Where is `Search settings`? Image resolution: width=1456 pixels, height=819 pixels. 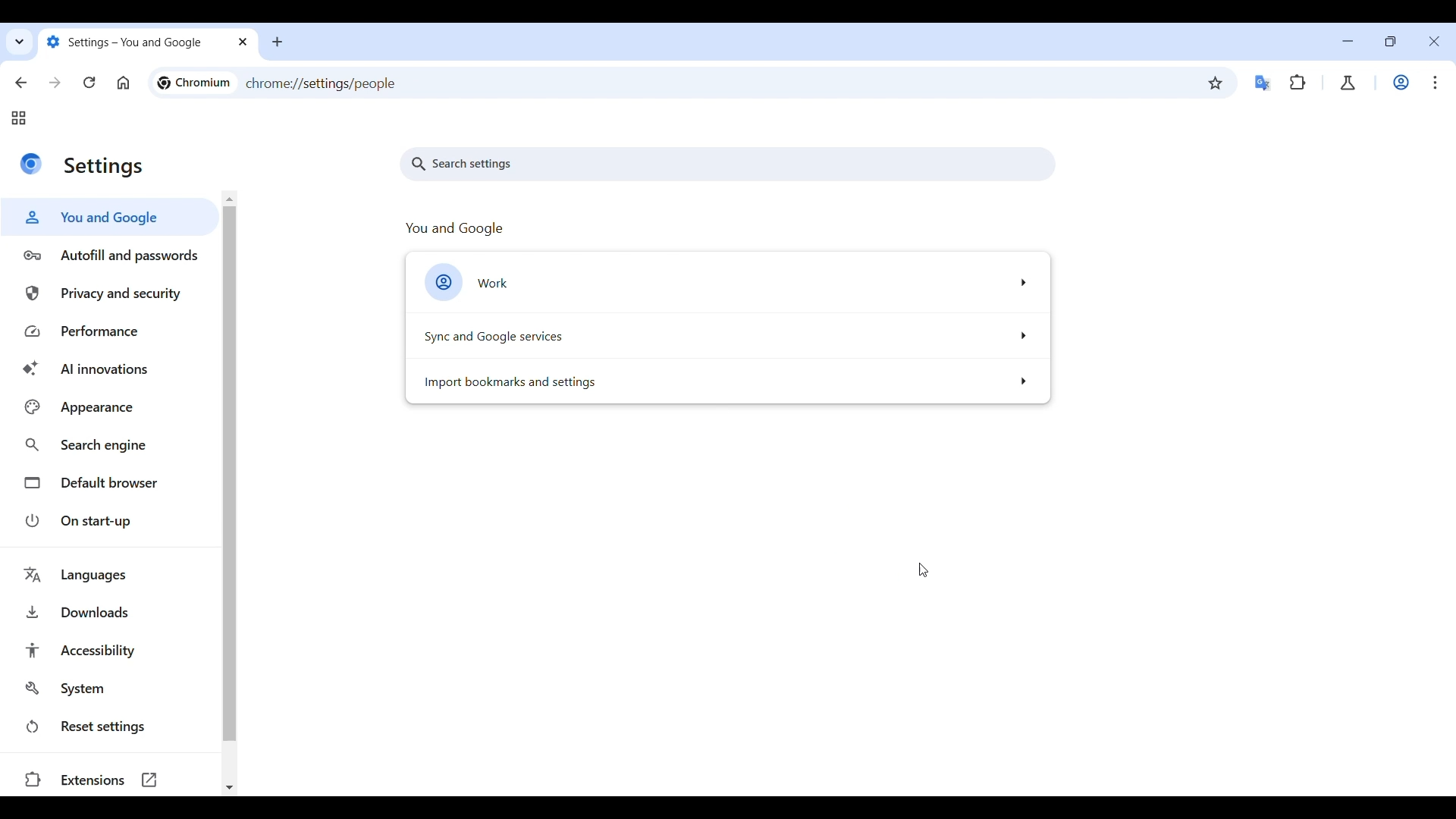
Search settings is located at coordinates (729, 164).